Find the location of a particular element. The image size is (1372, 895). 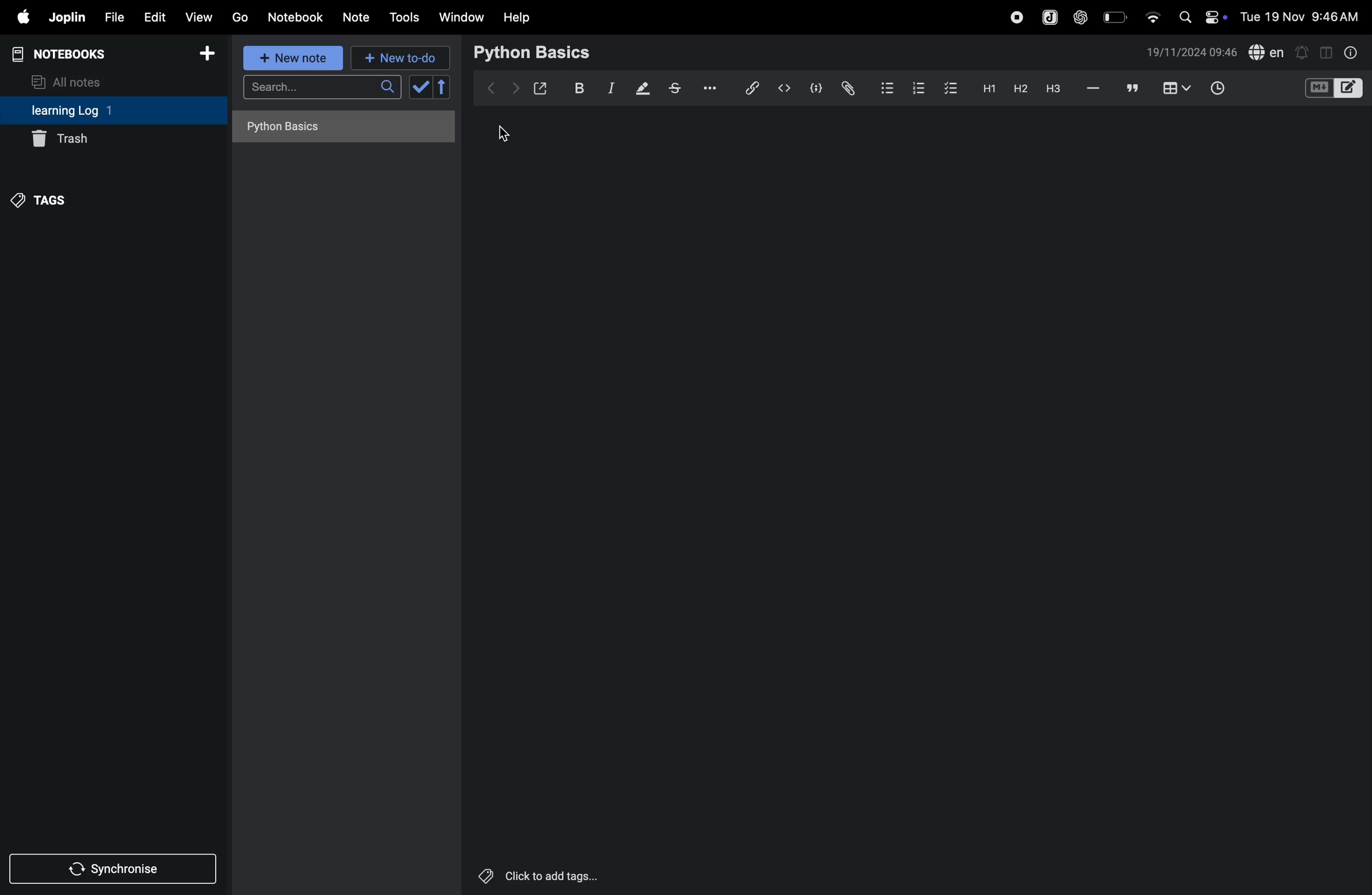

attach file is located at coordinates (847, 88).